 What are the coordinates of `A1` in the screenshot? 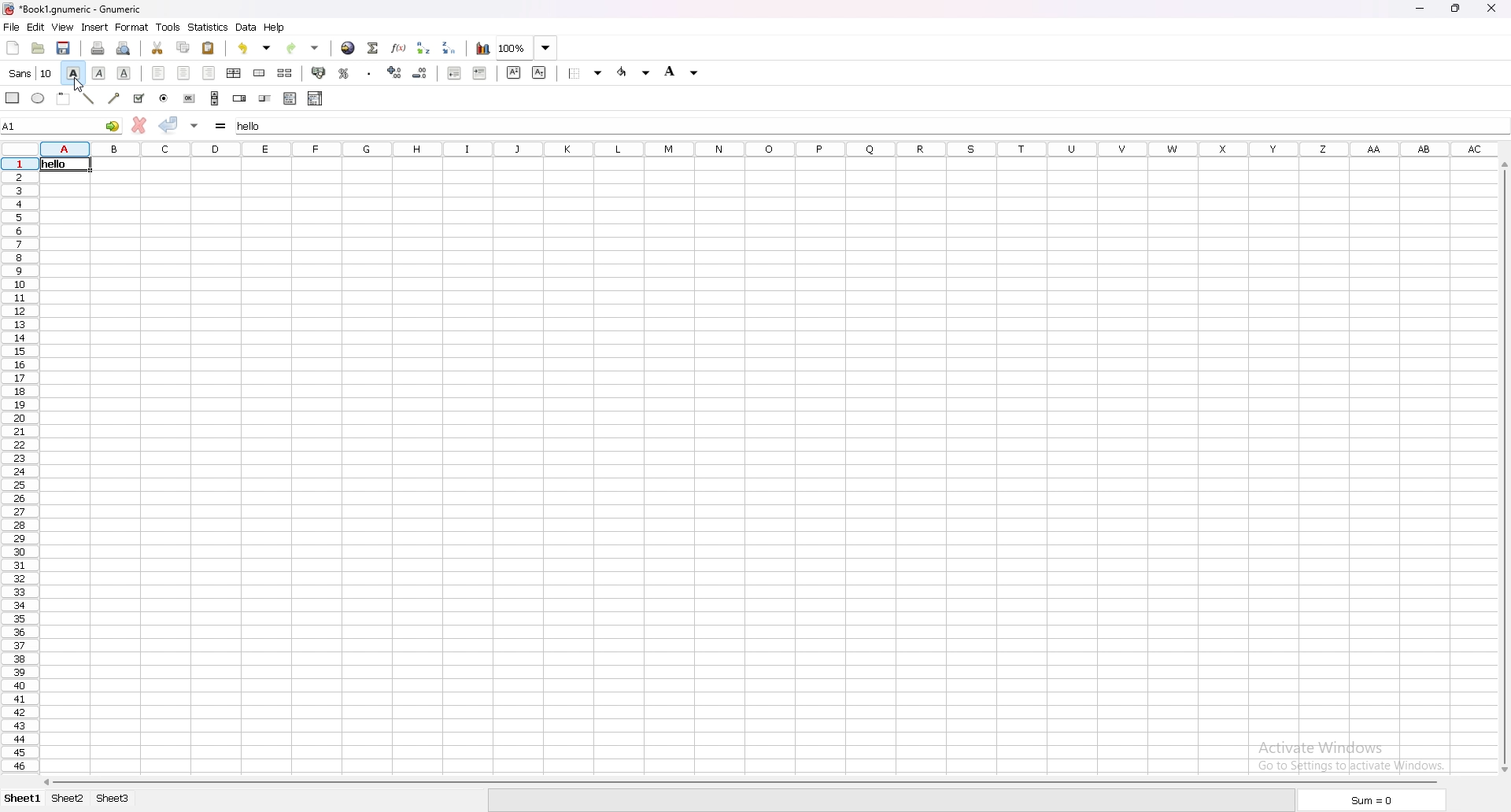 It's located at (61, 126).